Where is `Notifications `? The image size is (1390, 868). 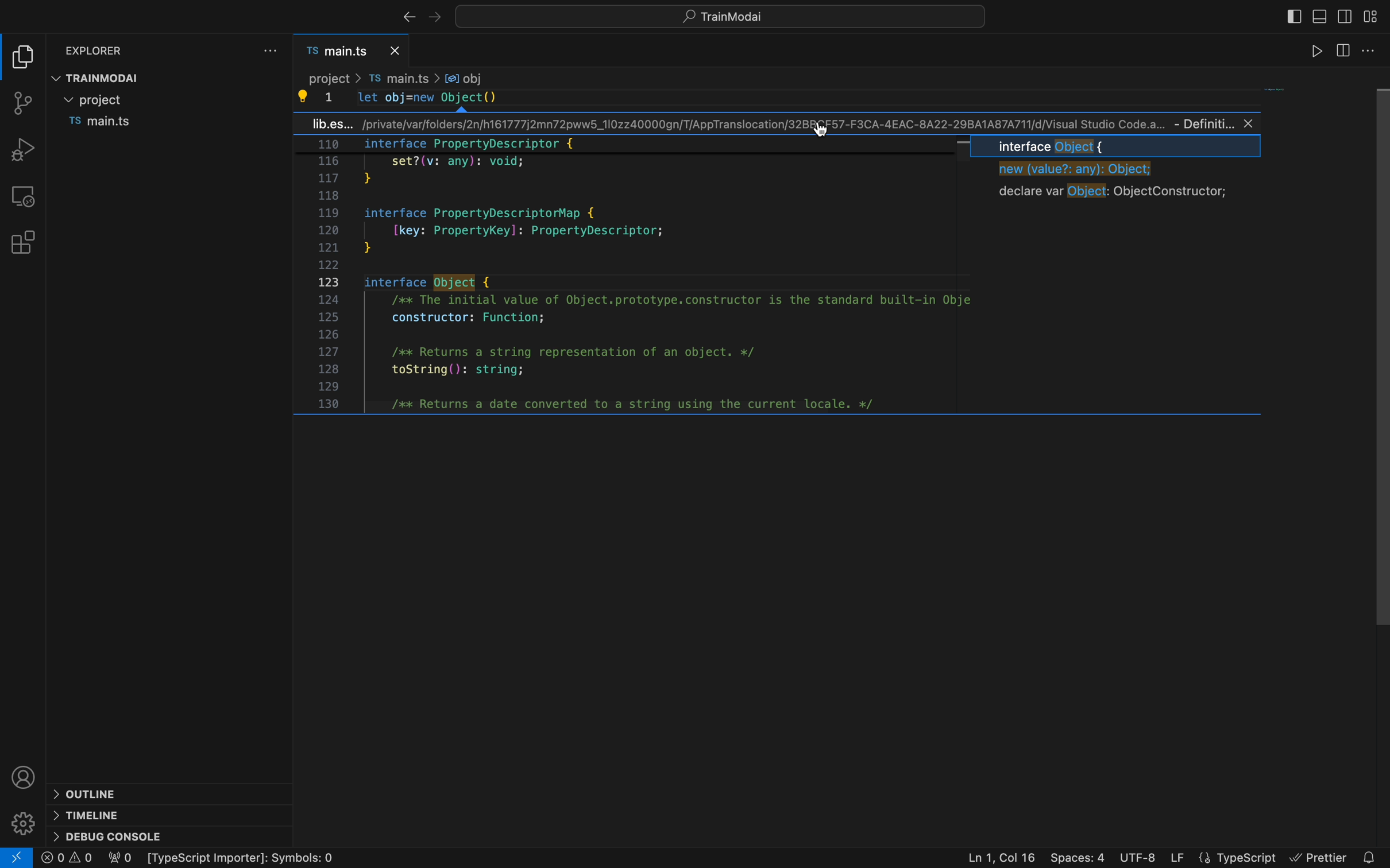
Notifications  is located at coordinates (1371, 853).